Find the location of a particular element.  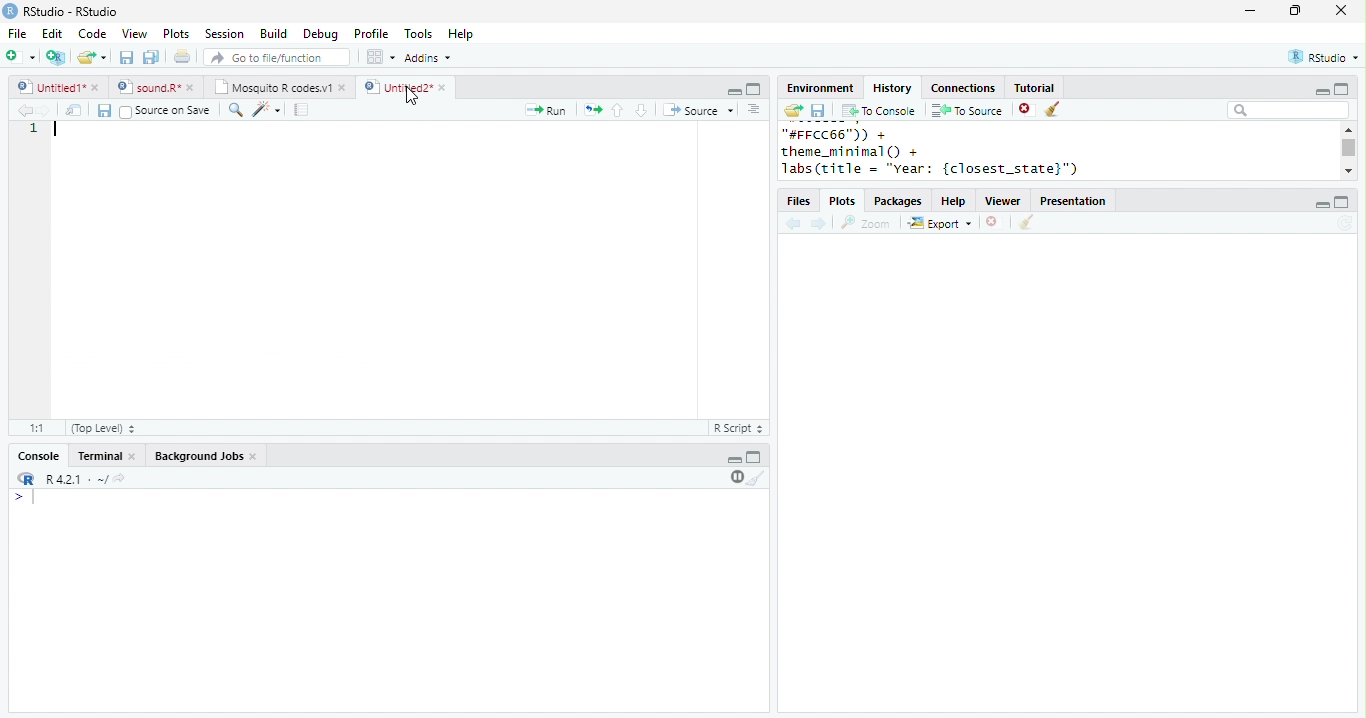

close is located at coordinates (344, 87).